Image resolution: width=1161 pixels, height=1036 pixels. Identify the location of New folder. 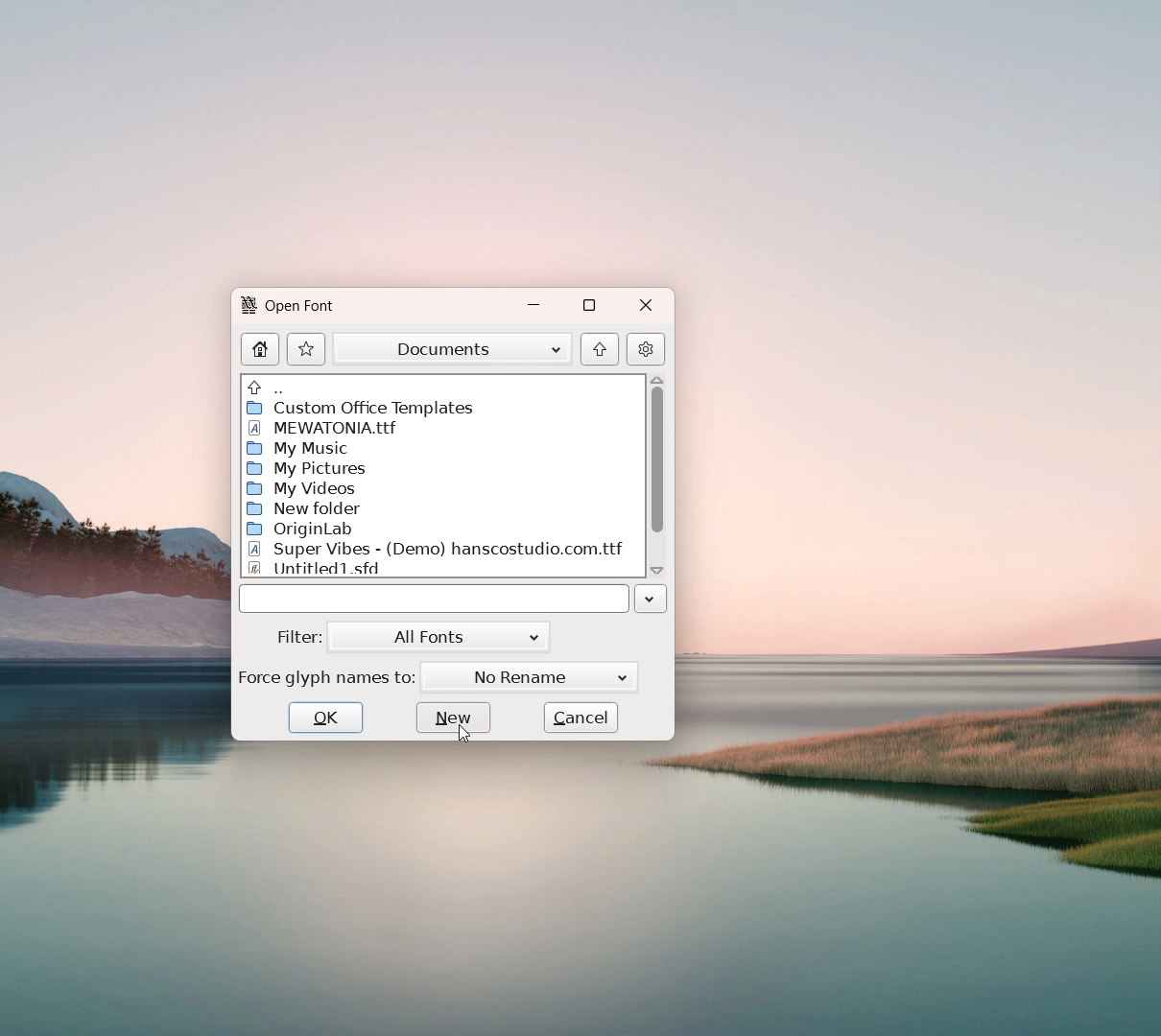
(302, 510).